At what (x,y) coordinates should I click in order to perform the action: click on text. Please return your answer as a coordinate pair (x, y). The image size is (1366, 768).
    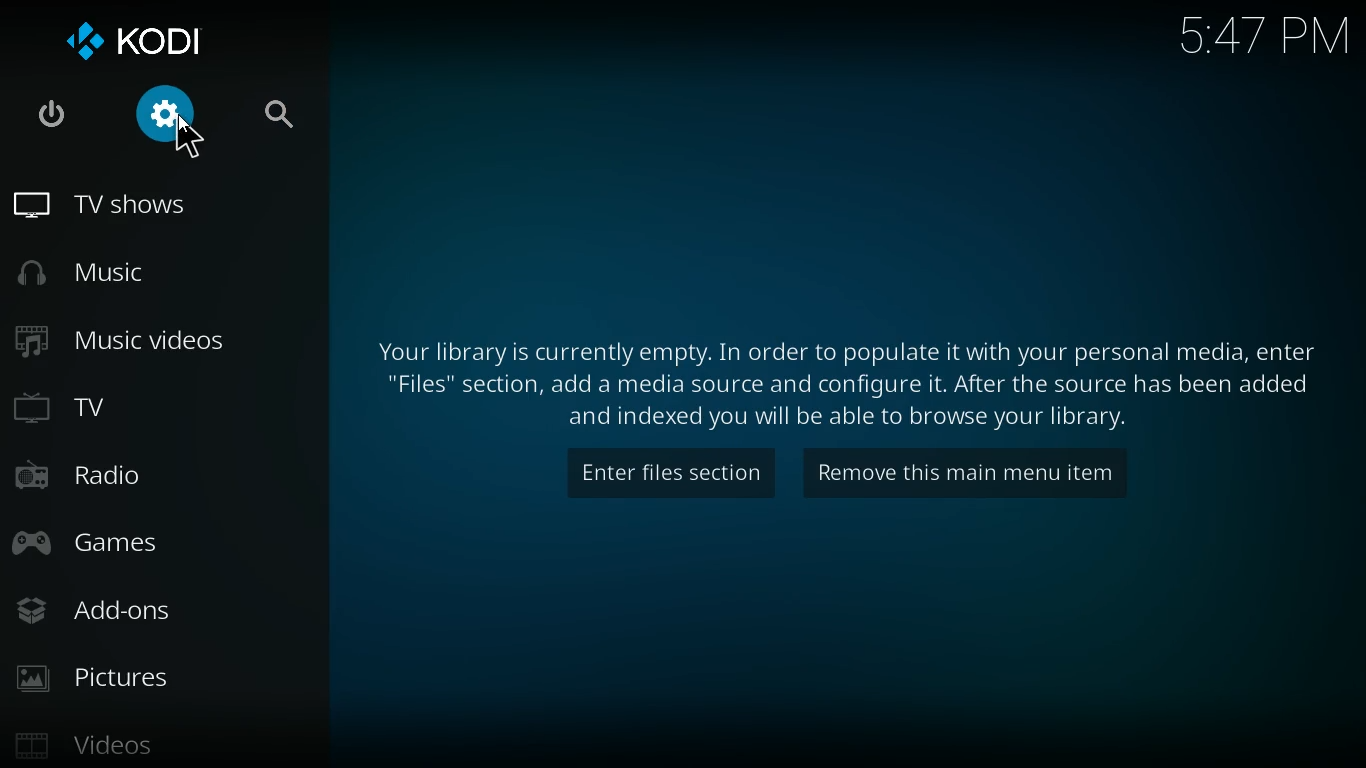
    Looking at the image, I should click on (846, 380).